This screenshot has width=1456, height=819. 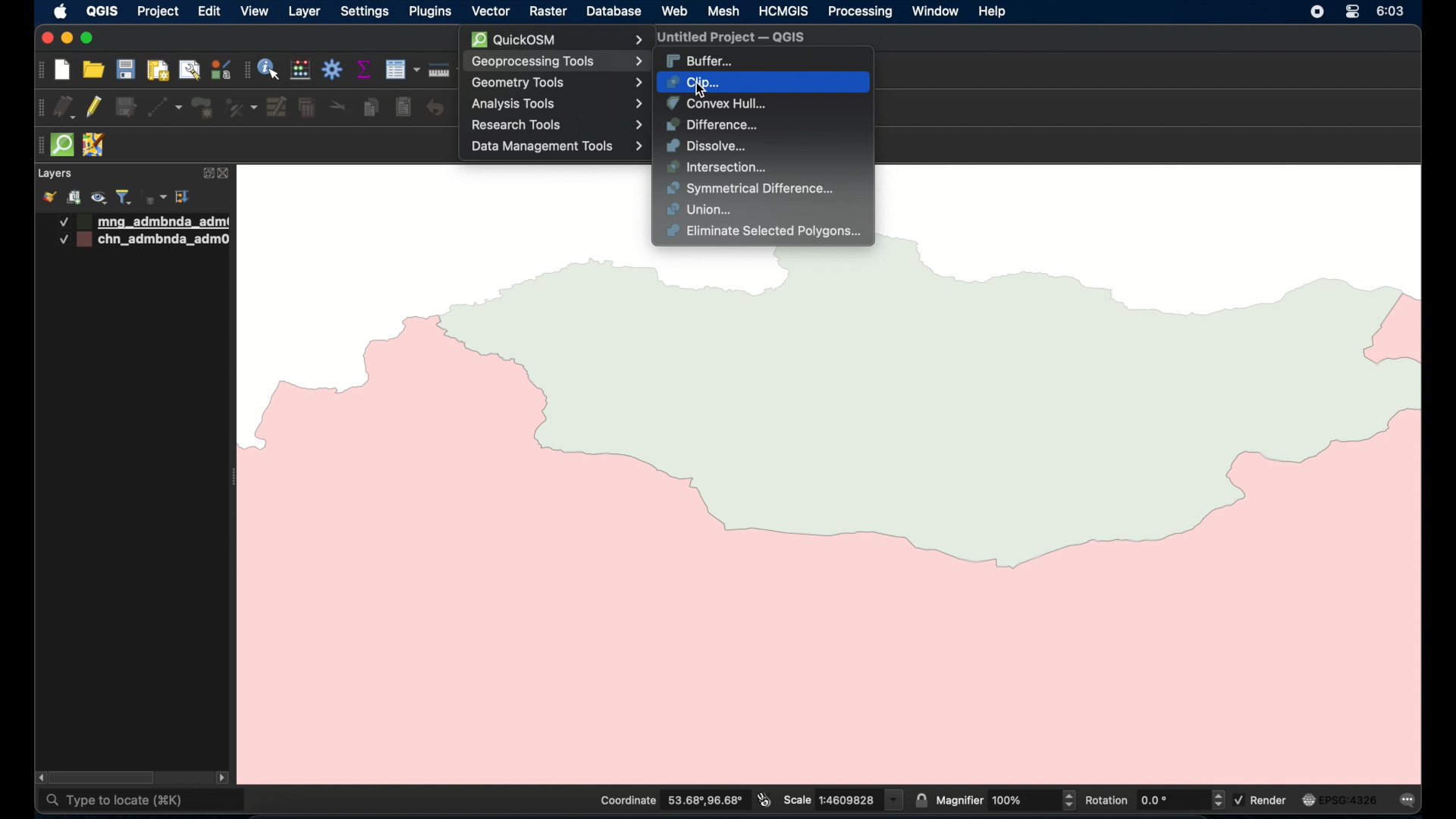 I want to click on open attribute table, so click(x=402, y=70).